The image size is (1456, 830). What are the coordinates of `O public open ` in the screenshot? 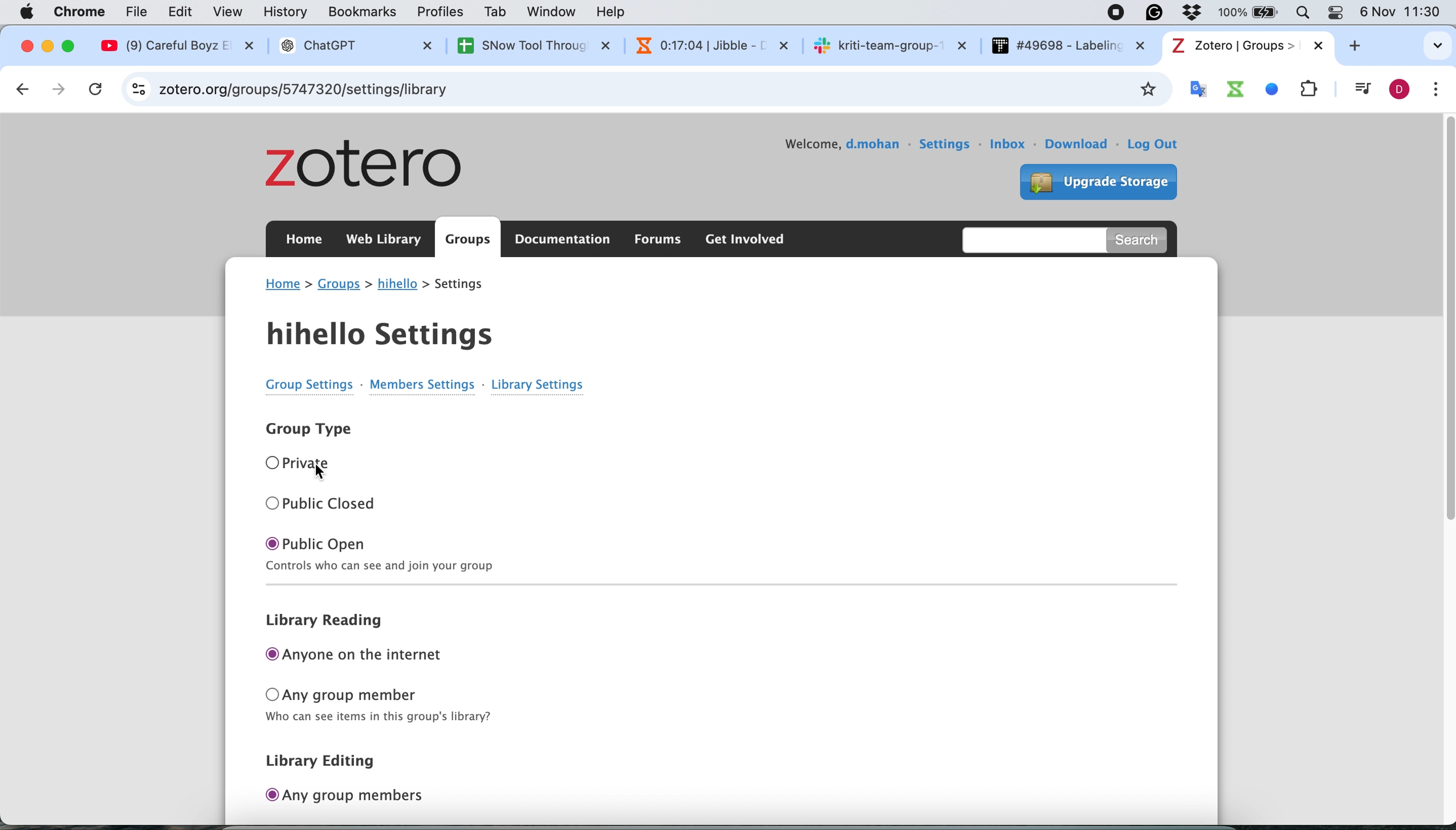 It's located at (376, 542).